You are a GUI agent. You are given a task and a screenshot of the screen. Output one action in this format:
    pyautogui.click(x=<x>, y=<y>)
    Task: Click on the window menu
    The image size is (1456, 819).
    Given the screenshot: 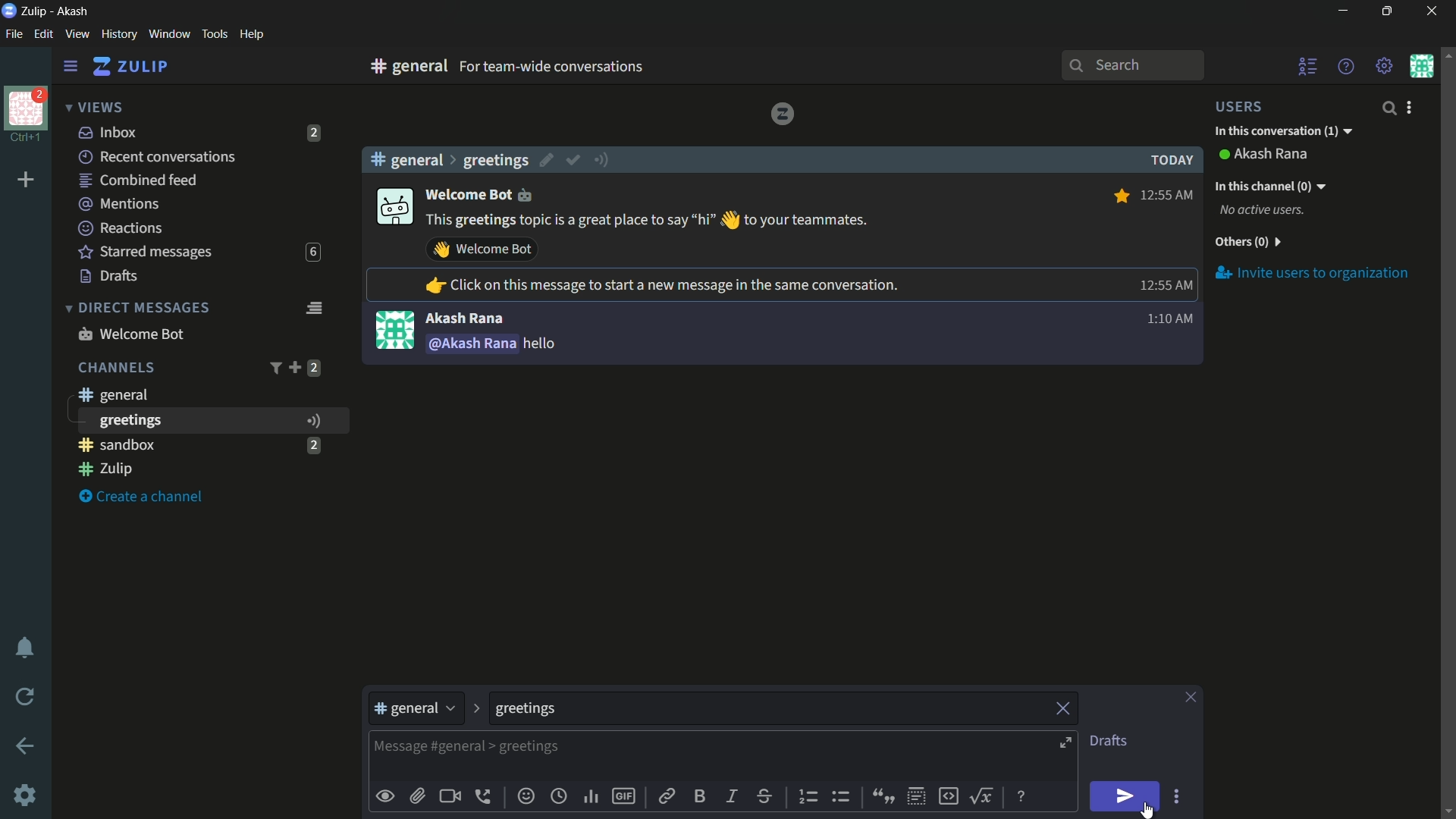 What is the action you would take?
    pyautogui.click(x=169, y=34)
    